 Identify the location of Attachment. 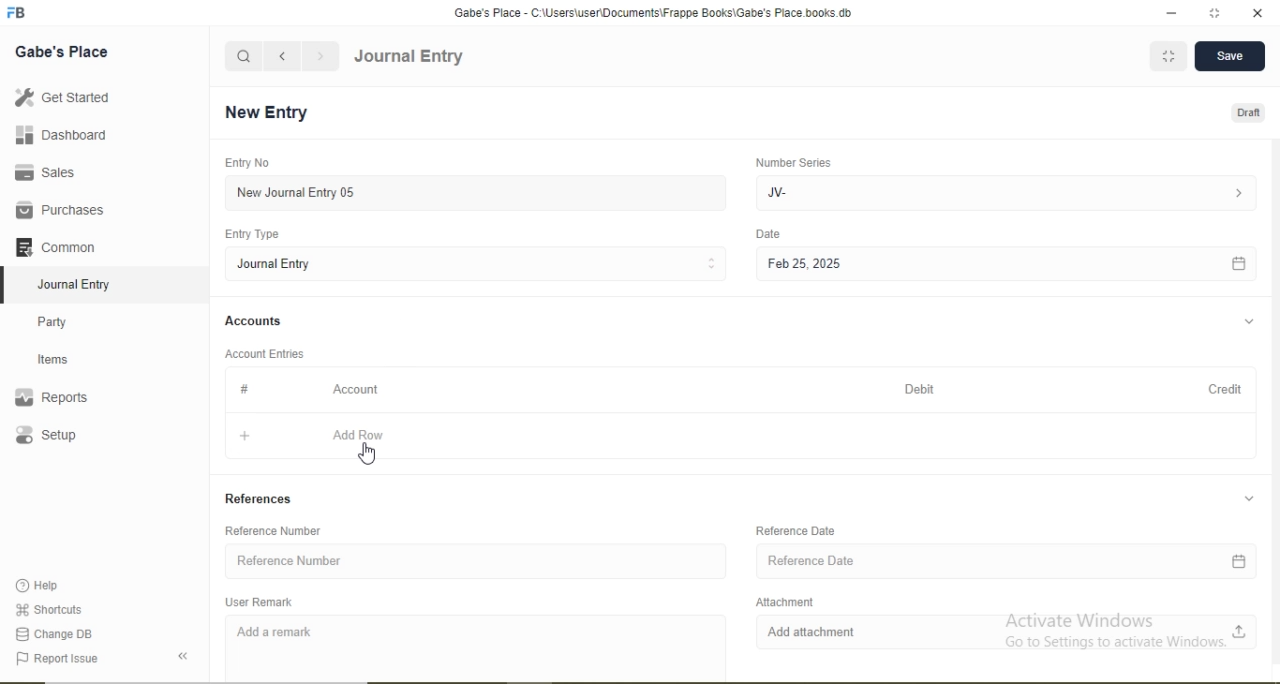
(781, 600).